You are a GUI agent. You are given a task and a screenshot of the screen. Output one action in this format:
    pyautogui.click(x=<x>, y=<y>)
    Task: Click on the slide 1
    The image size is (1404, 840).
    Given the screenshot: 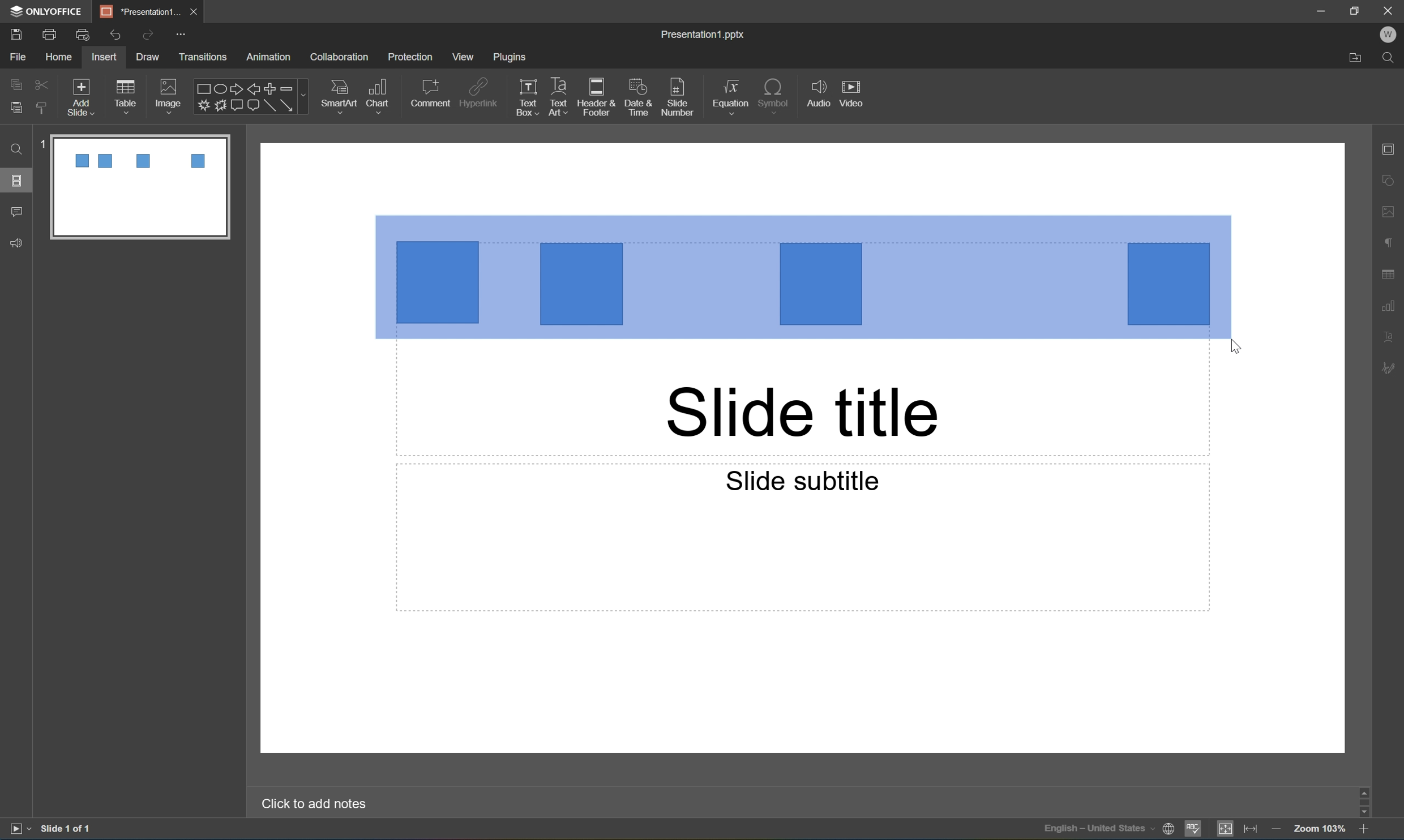 What is the action you would take?
    pyautogui.click(x=132, y=186)
    